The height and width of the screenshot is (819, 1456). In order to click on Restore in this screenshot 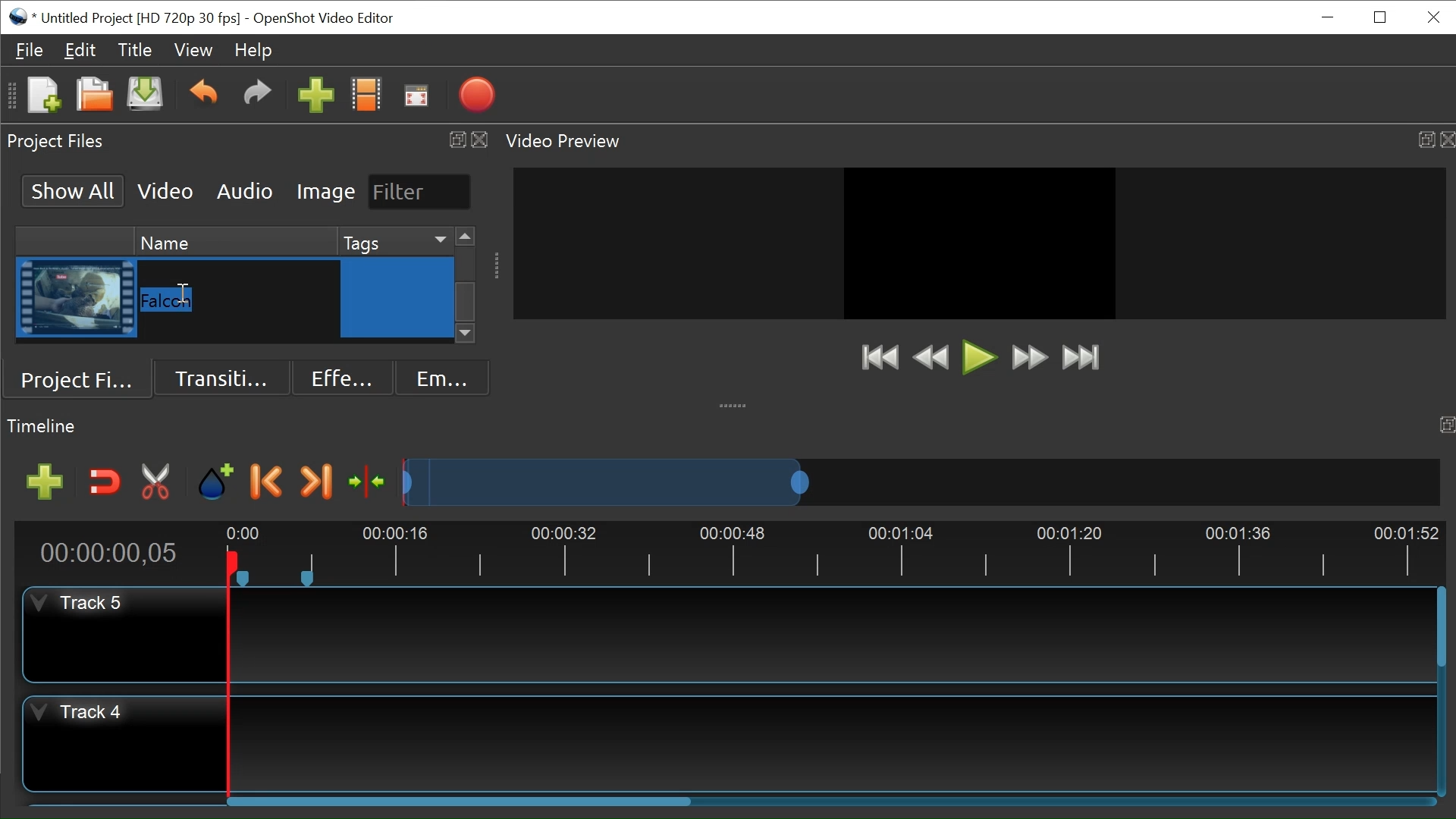, I will do `click(1380, 16)`.